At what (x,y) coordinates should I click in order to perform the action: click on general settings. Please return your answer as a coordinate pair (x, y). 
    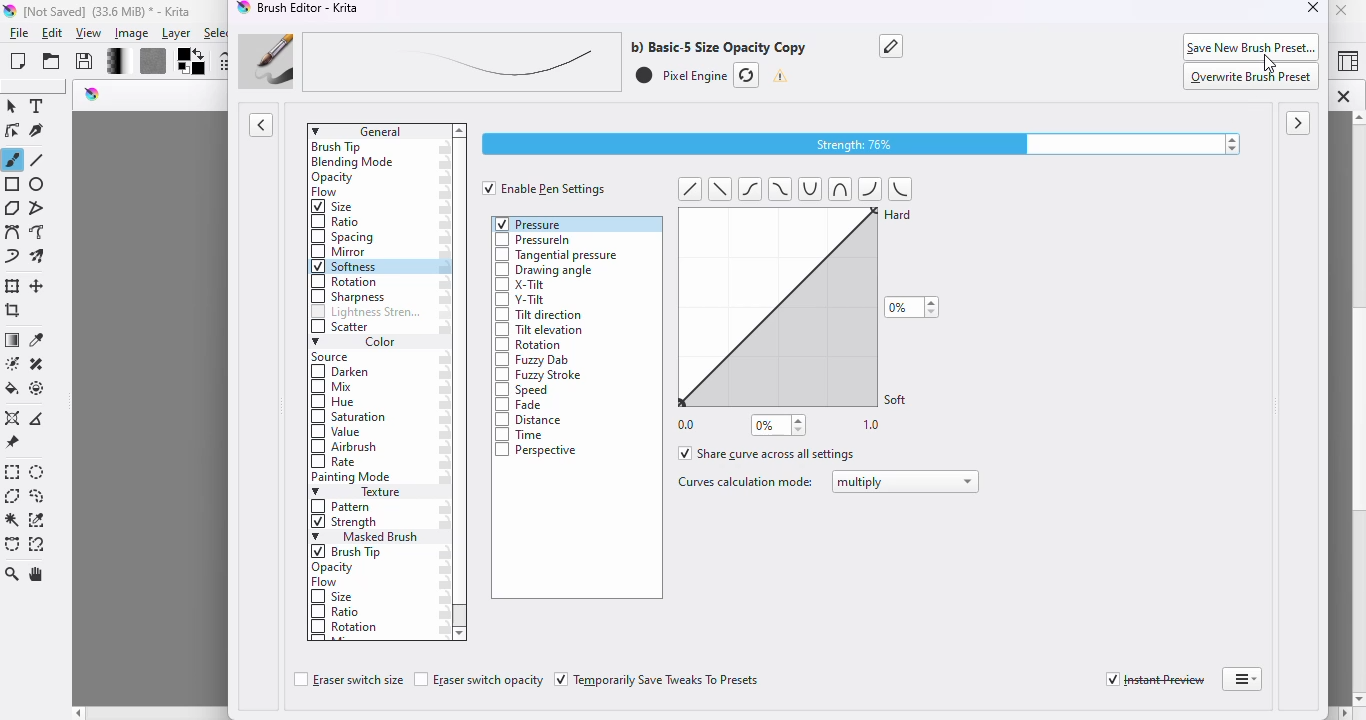
    Looking at the image, I should click on (378, 131).